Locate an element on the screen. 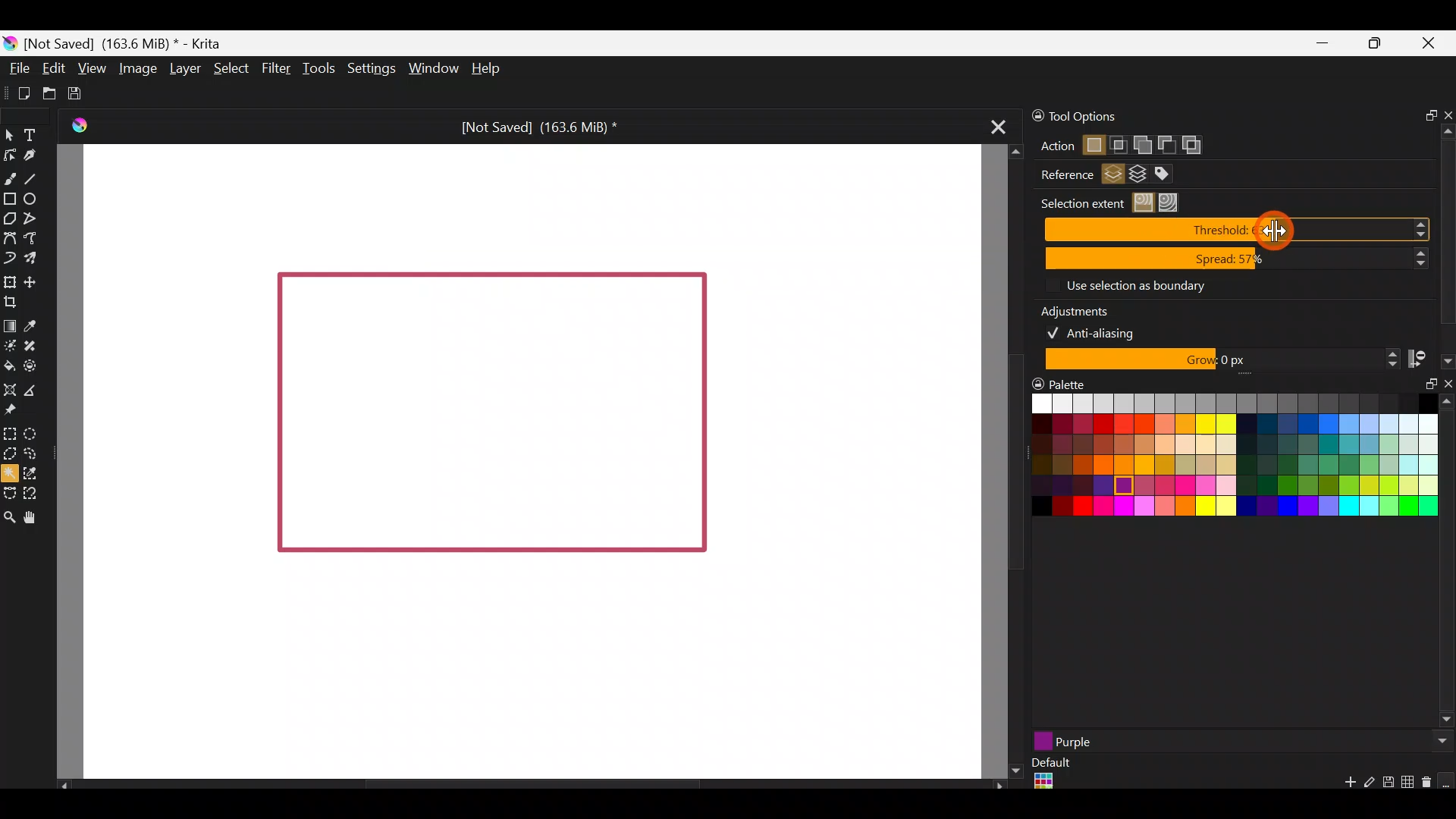 The height and width of the screenshot is (819, 1456). Threshold is located at coordinates (1236, 231).